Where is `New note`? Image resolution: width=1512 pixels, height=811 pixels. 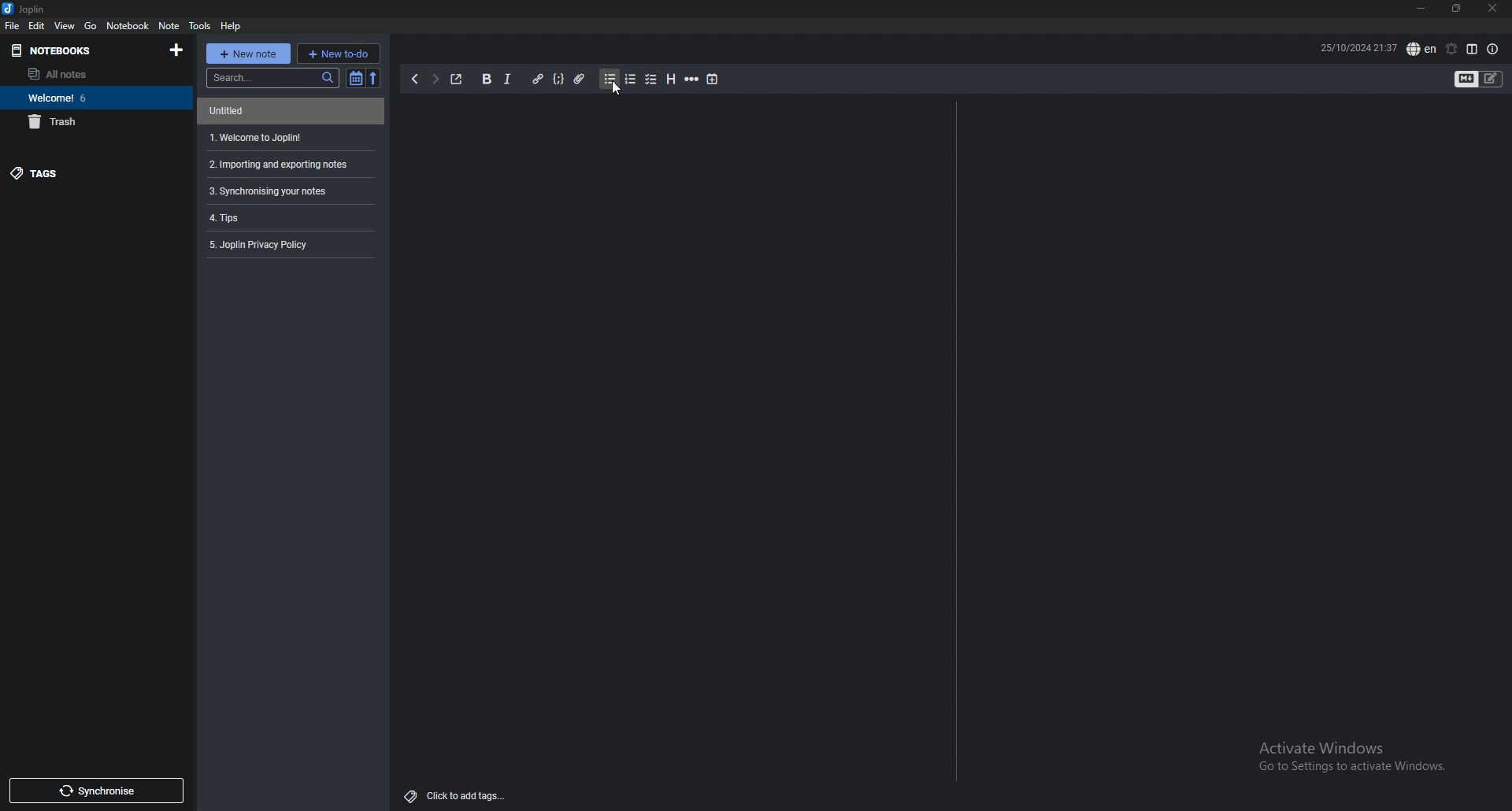 New note is located at coordinates (249, 54).